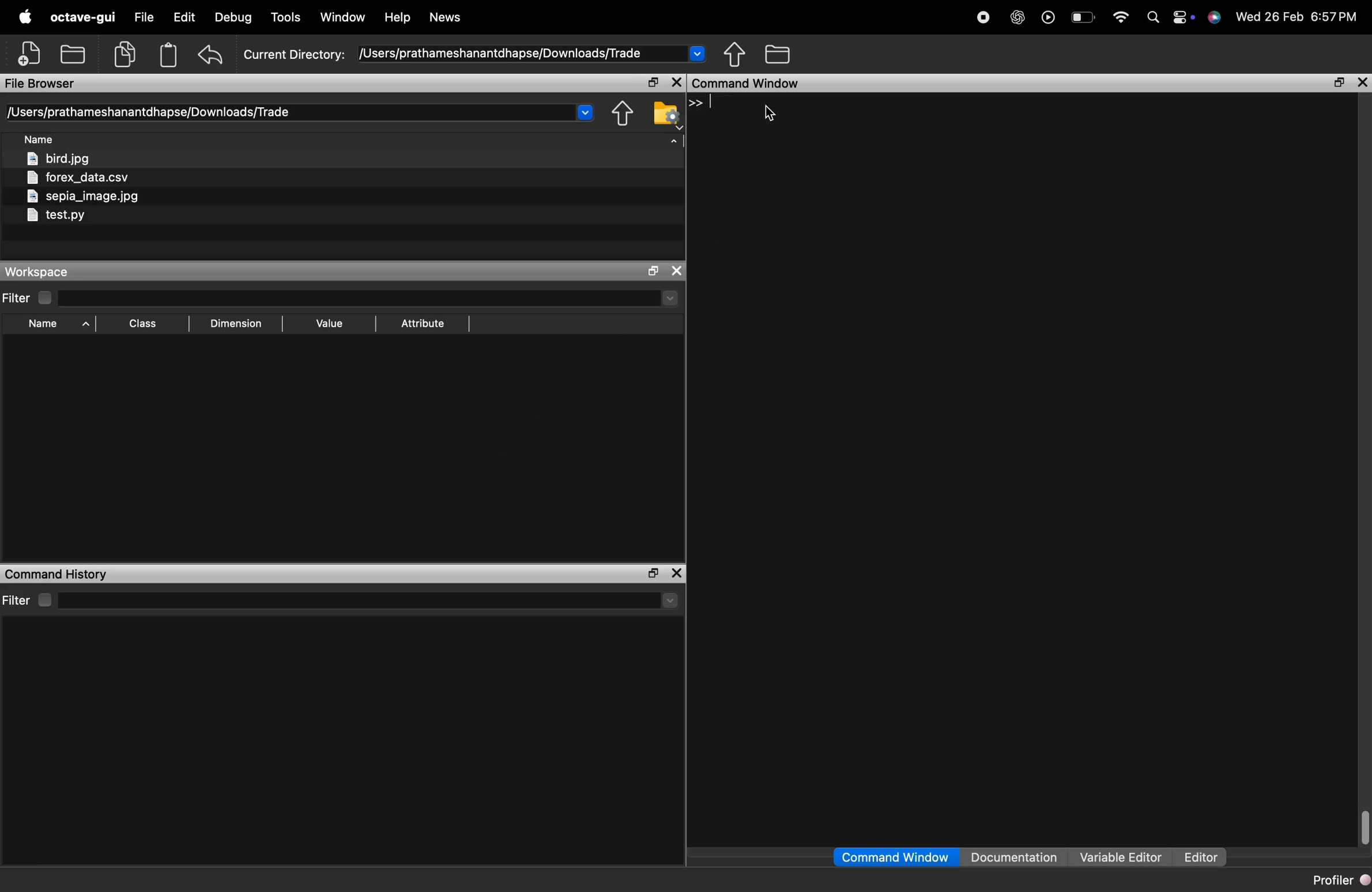 The image size is (1372, 892). Describe the element at coordinates (330, 324) in the screenshot. I see `sort by value` at that location.